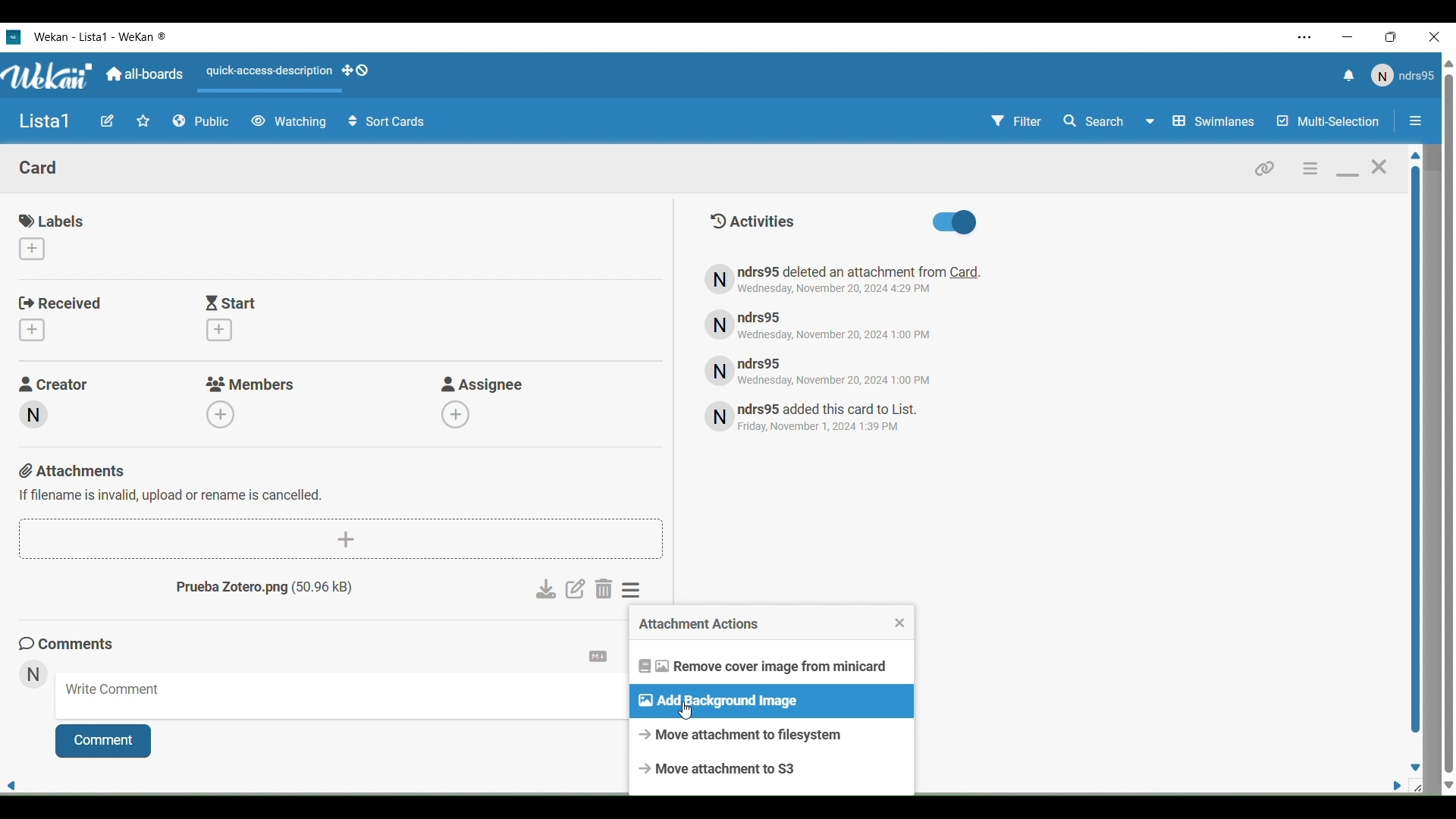 This screenshot has width=1456, height=819. Describe the element at coordinates (836, 324) in the screenshot. I see `Text` at that location.